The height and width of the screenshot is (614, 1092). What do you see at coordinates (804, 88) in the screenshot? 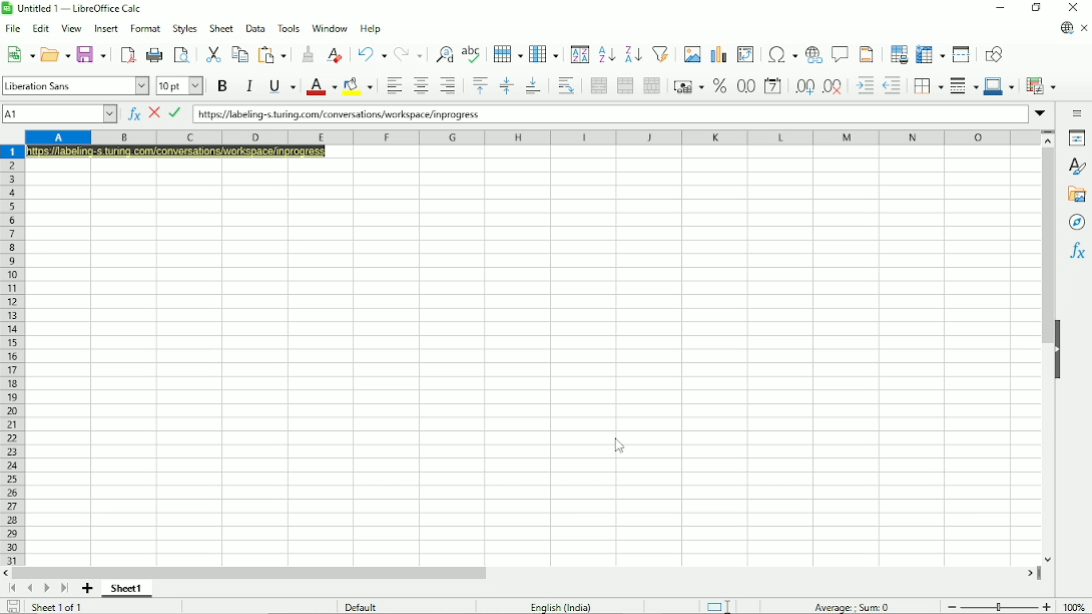
I see `Add decimal place` at bounding box center [804, 88].